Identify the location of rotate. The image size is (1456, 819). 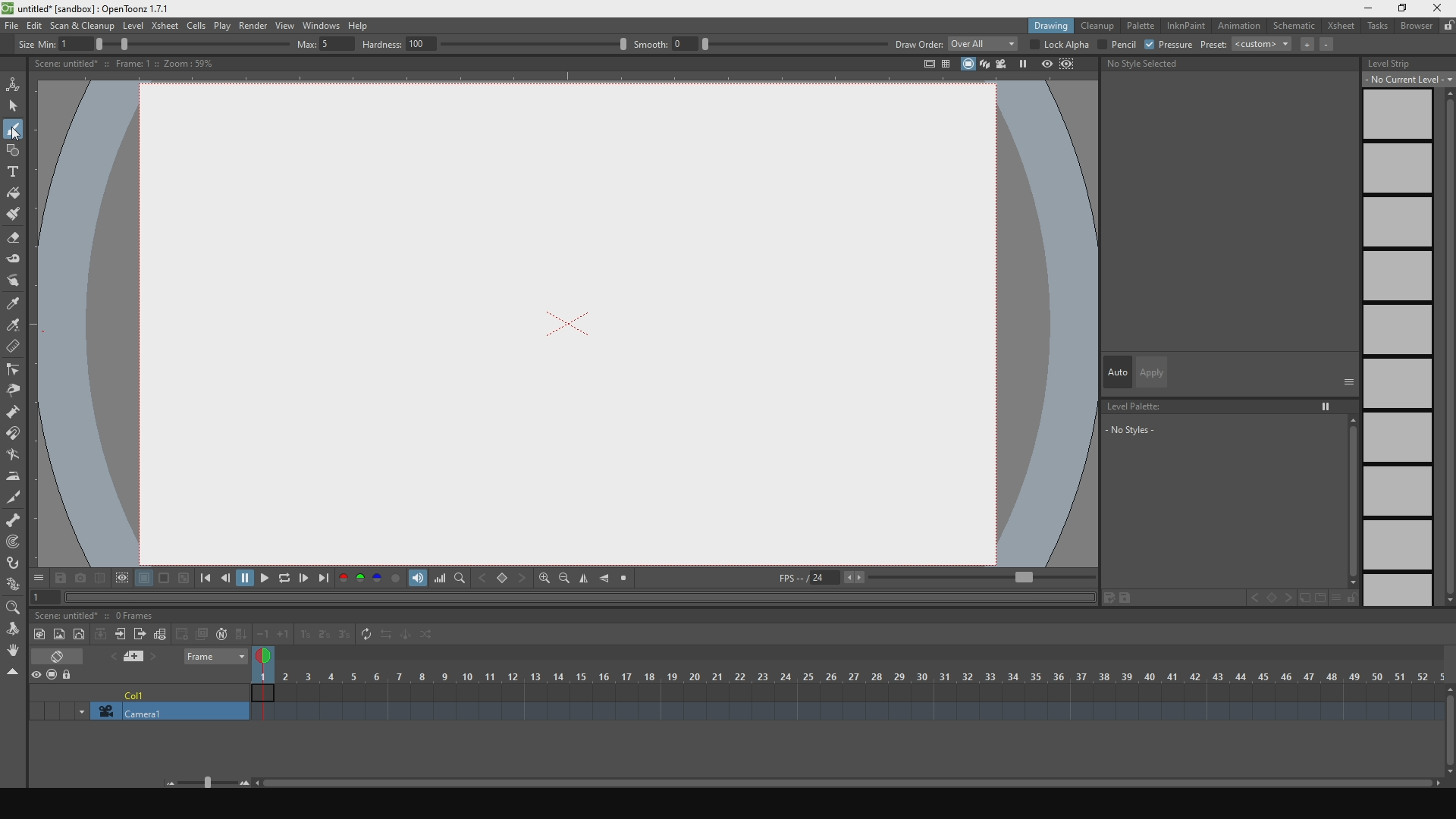
(14, 652).